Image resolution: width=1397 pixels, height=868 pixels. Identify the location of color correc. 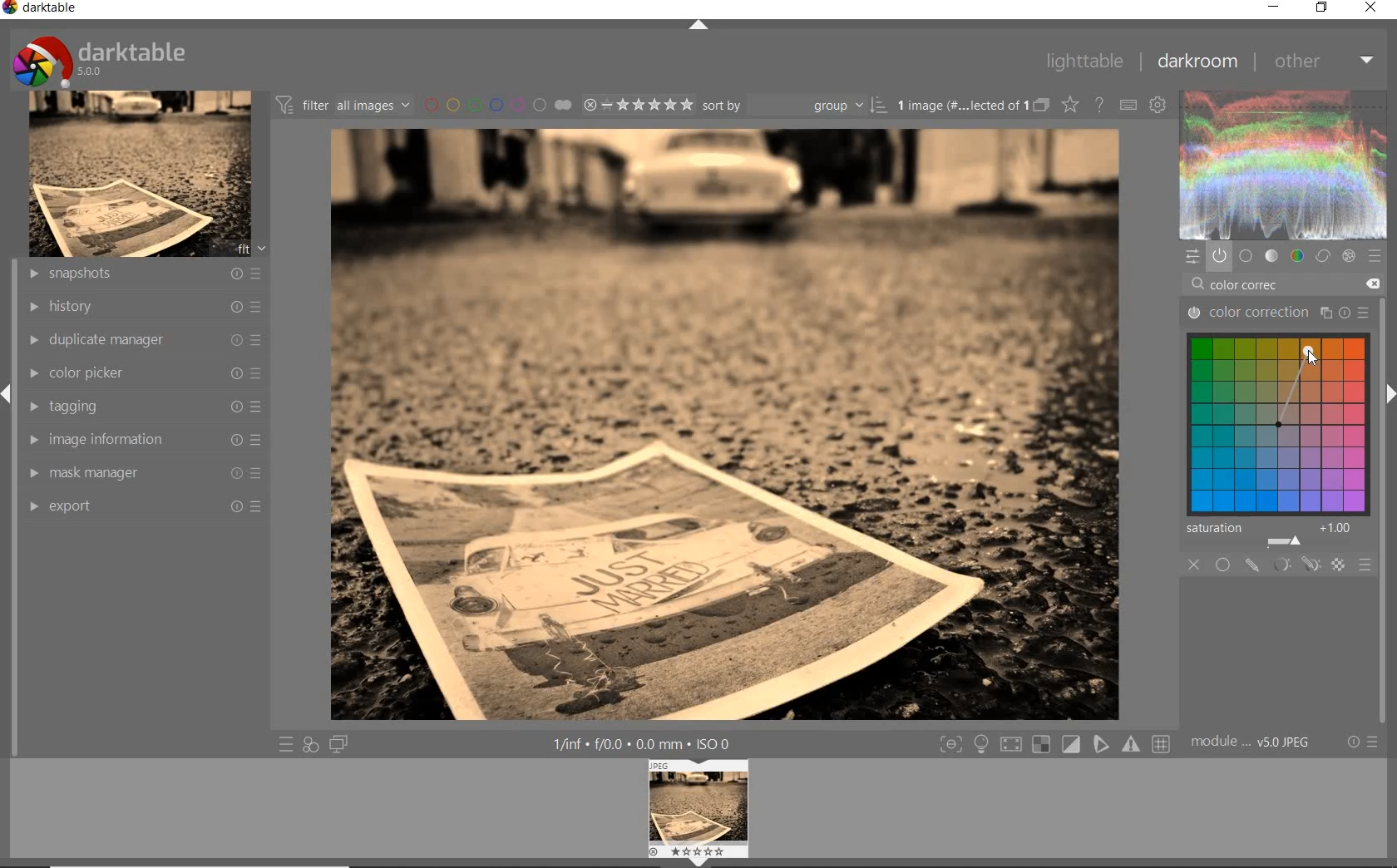
(1256, 286).